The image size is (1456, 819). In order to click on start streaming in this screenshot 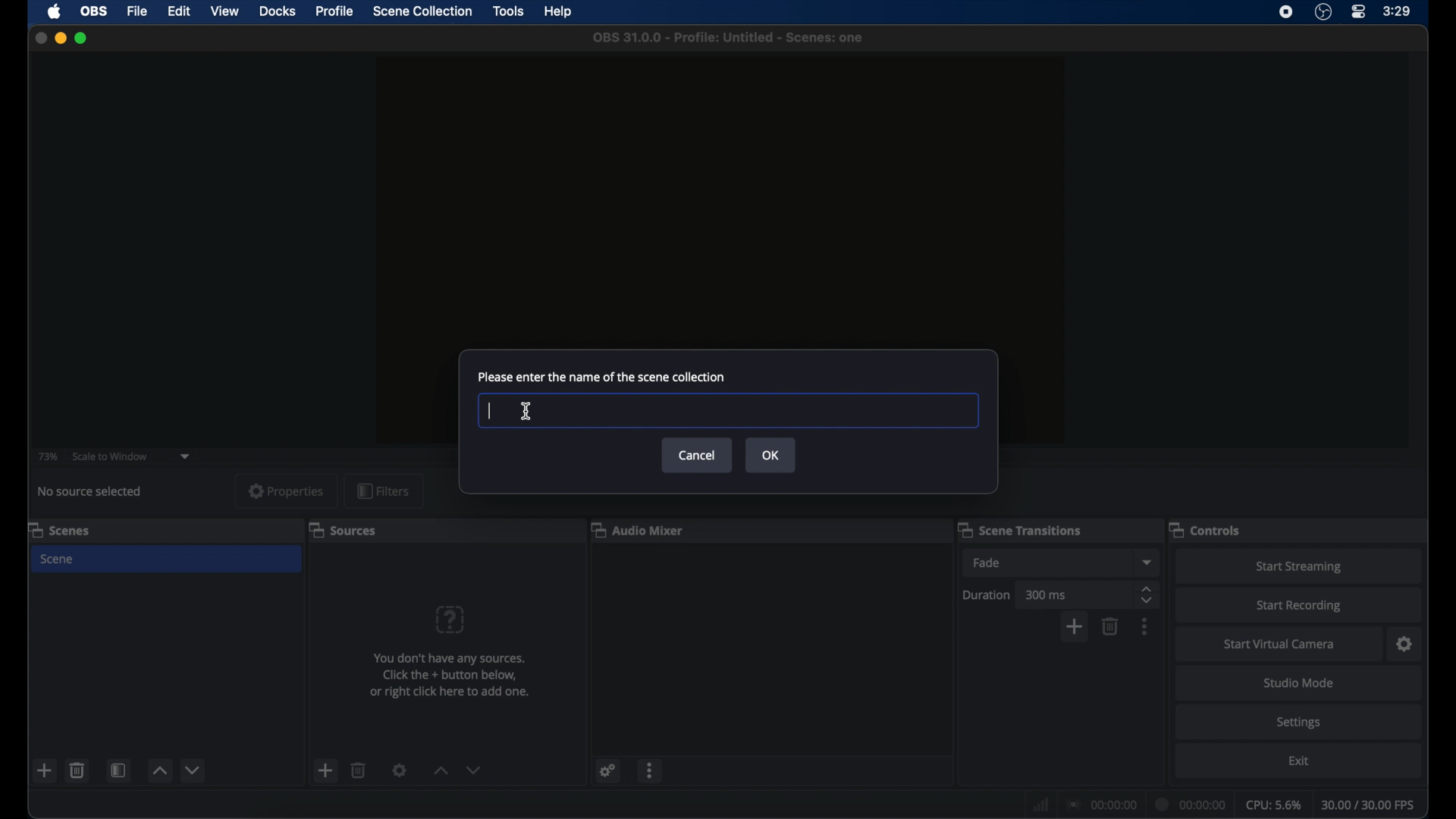, I will do `click(1298, 567)`.